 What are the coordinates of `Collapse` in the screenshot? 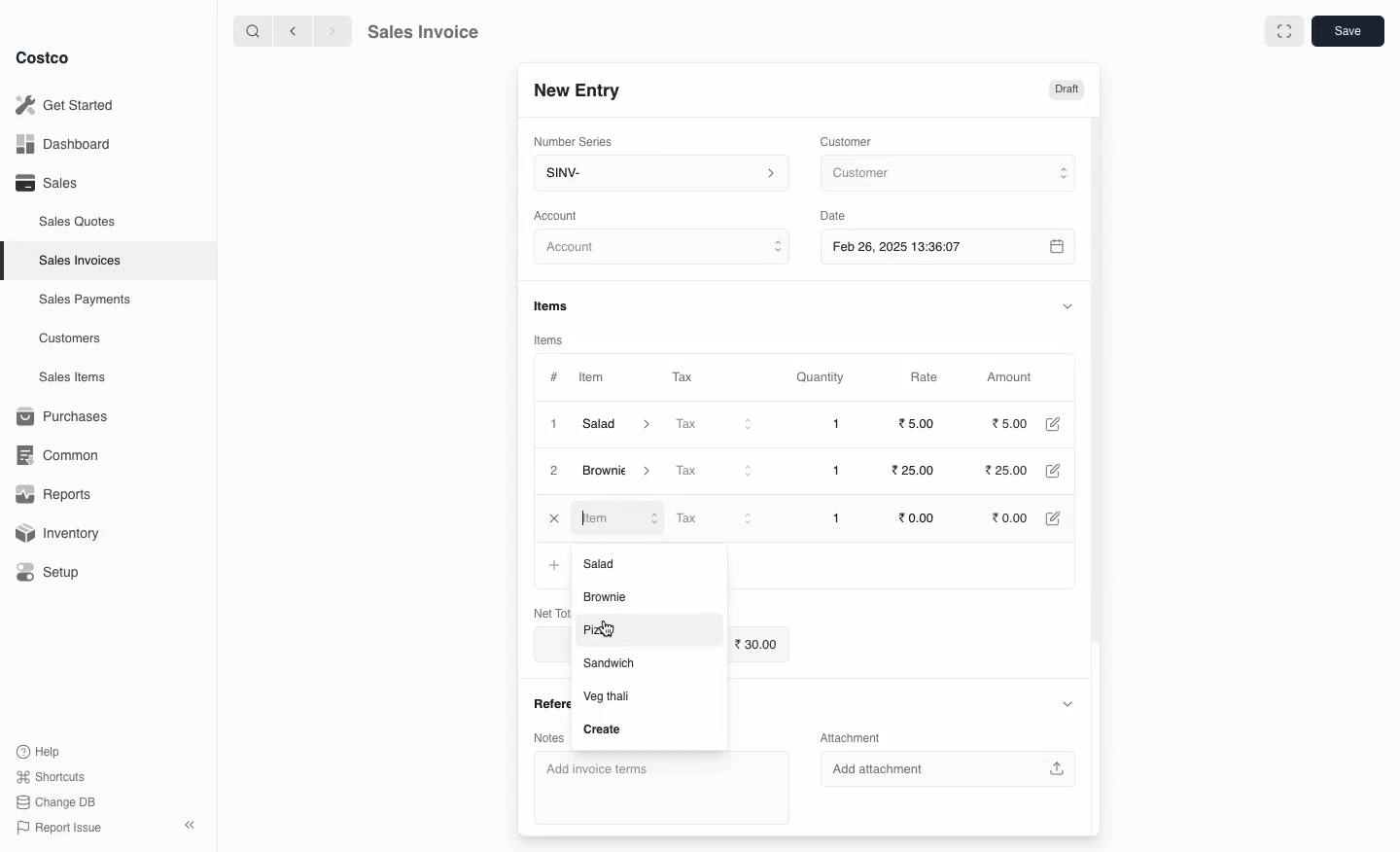 It's located at (192, 826).